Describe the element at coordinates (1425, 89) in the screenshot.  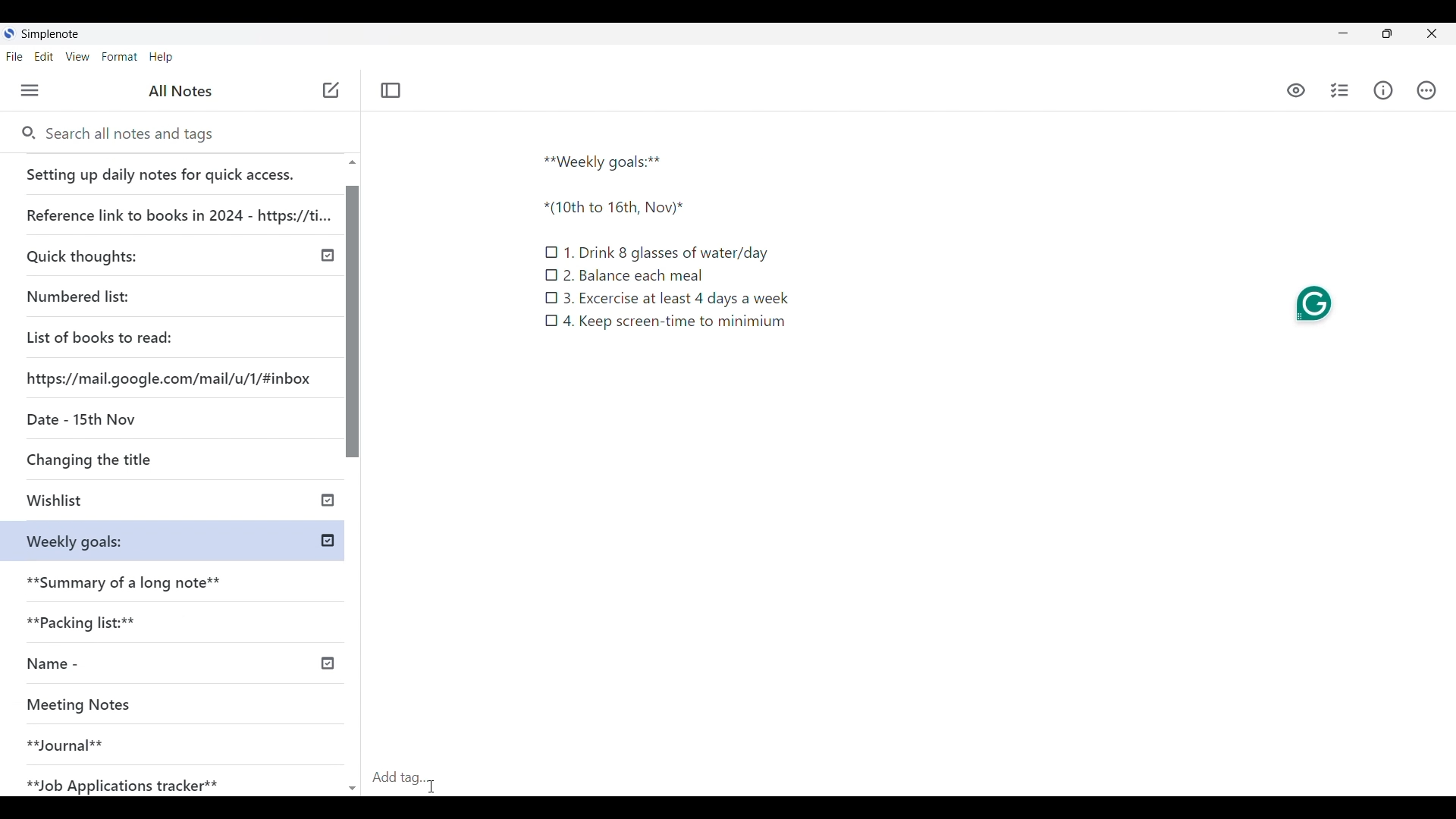
I see `Actions` at that location.